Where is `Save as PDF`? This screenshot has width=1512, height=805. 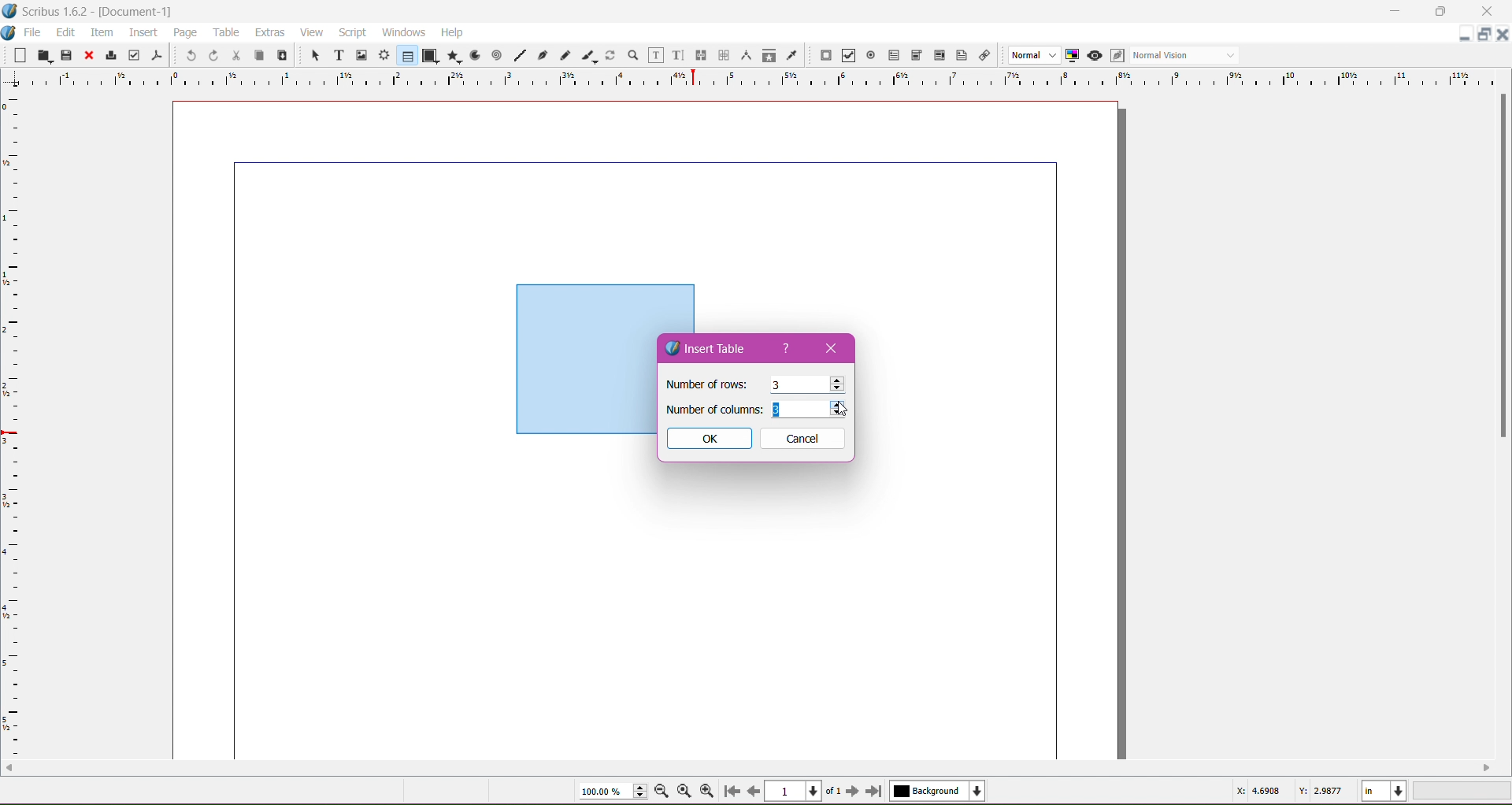 Save as PDF is located at coordinates (159, 52).